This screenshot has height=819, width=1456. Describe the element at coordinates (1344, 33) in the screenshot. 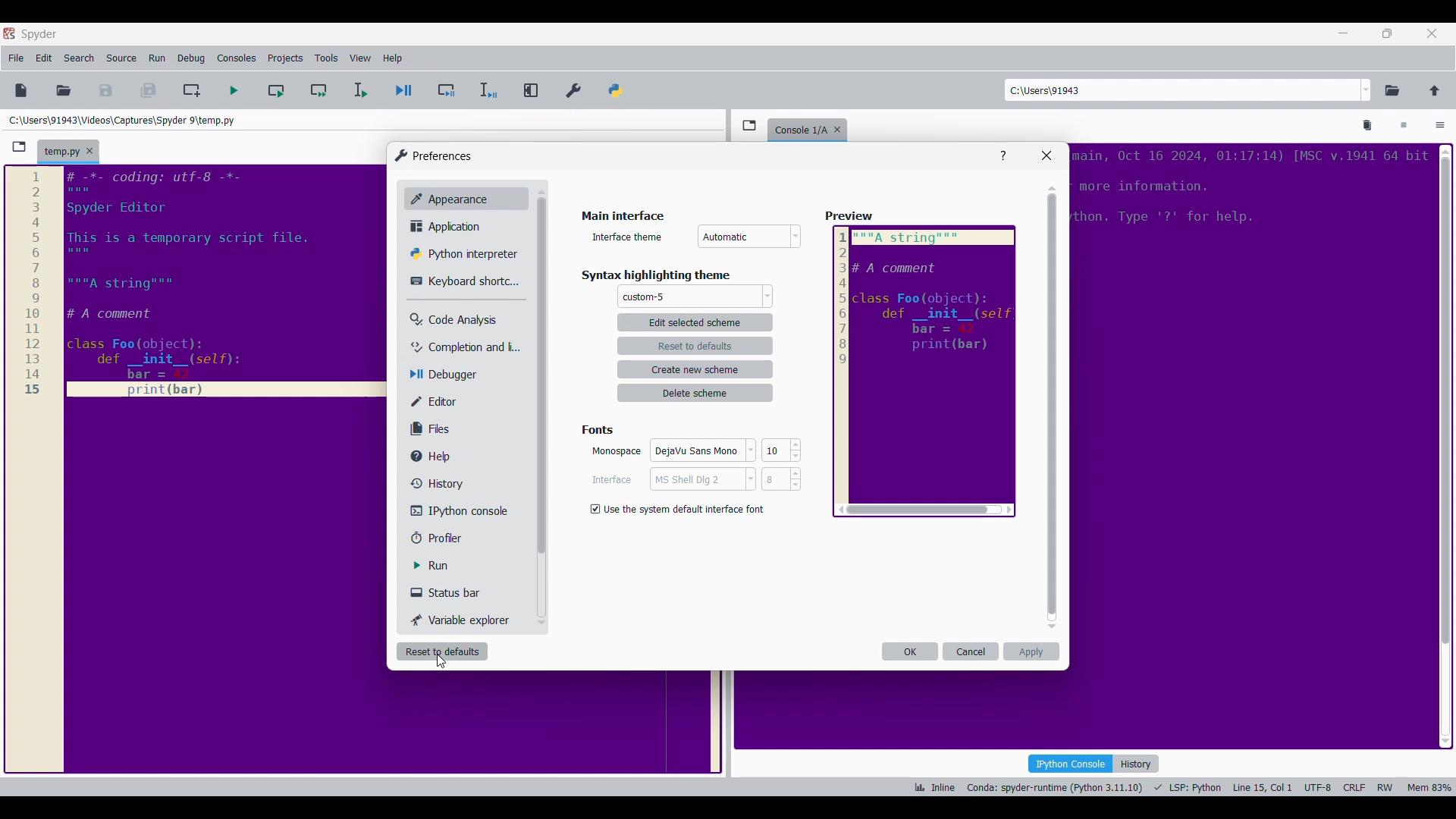

I see `Minimize` at that location.